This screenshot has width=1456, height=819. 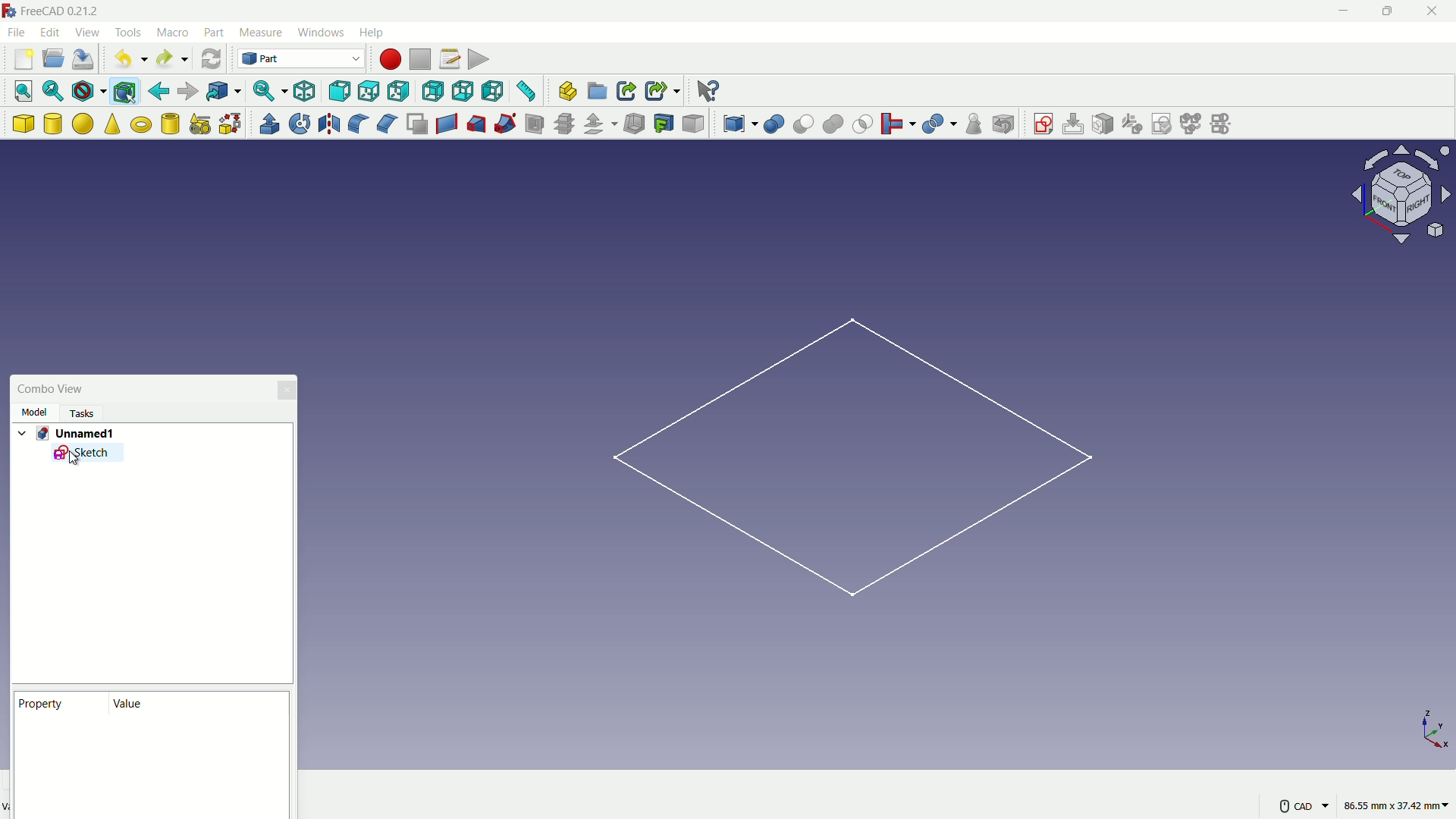 I want to click on right view, so click(x=397, y=93).